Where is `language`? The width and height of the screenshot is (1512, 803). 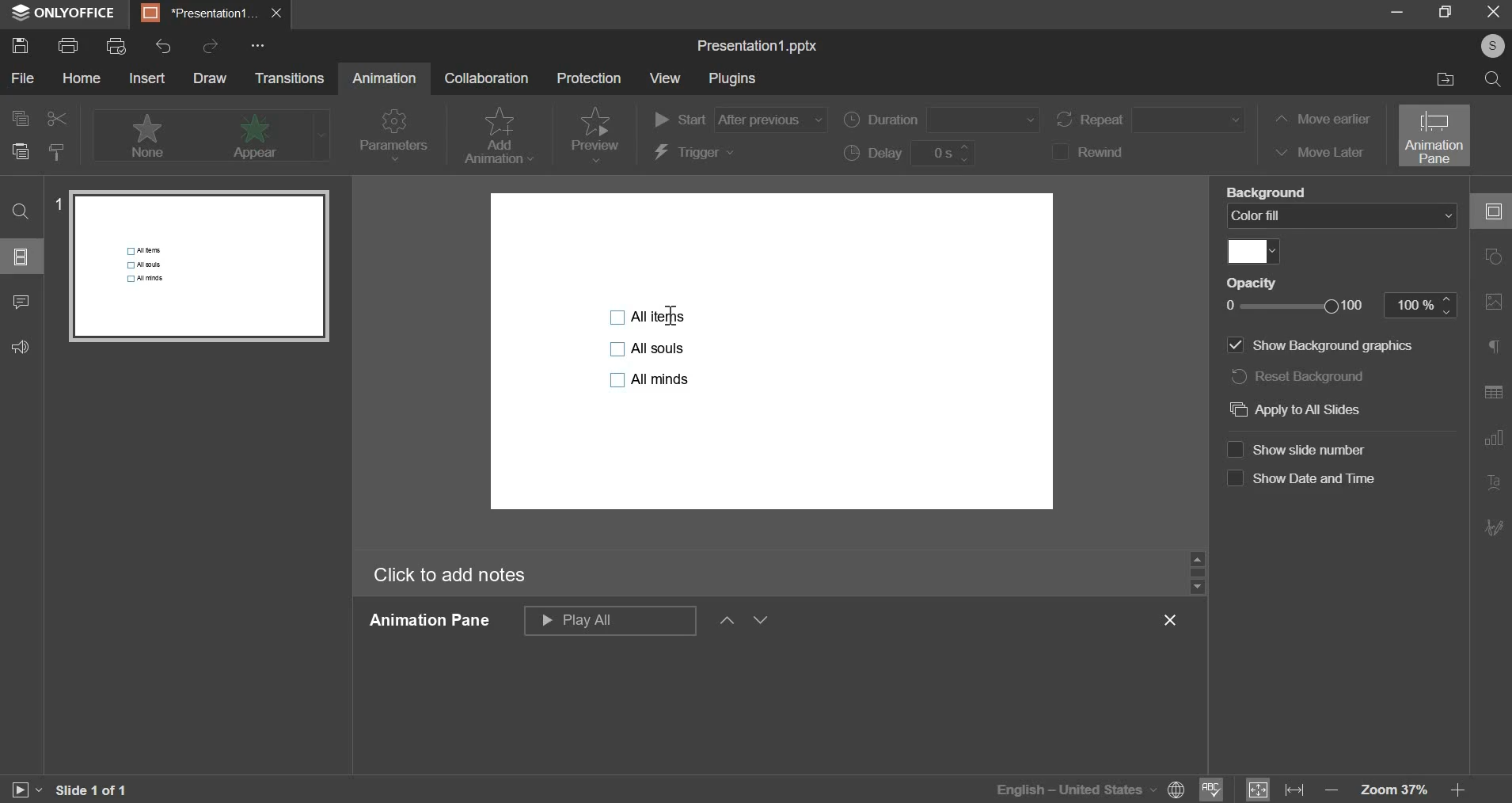 language is located at coordinates (1084, 788).